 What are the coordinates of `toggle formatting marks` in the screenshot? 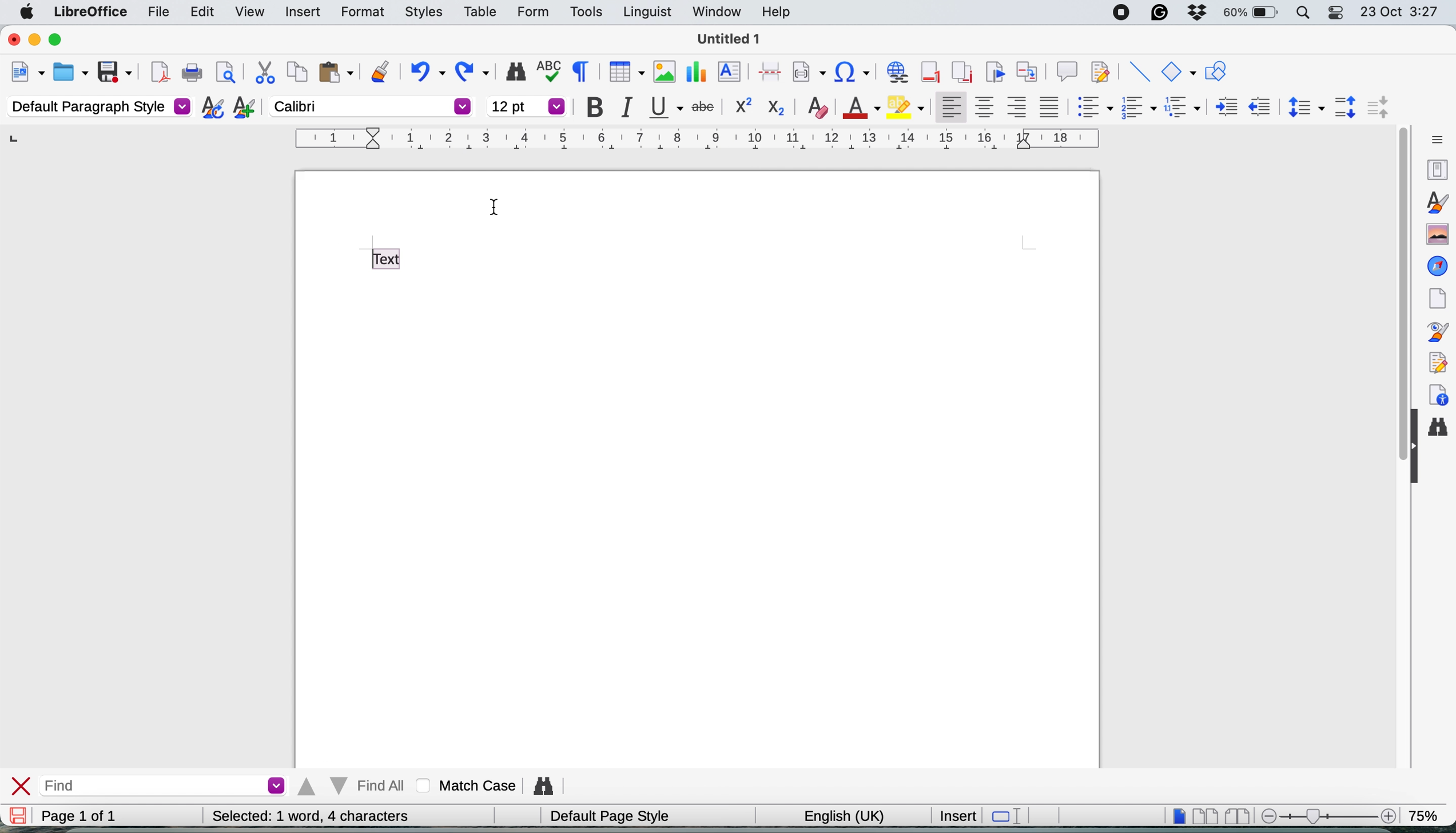 It's located at (579, 72).